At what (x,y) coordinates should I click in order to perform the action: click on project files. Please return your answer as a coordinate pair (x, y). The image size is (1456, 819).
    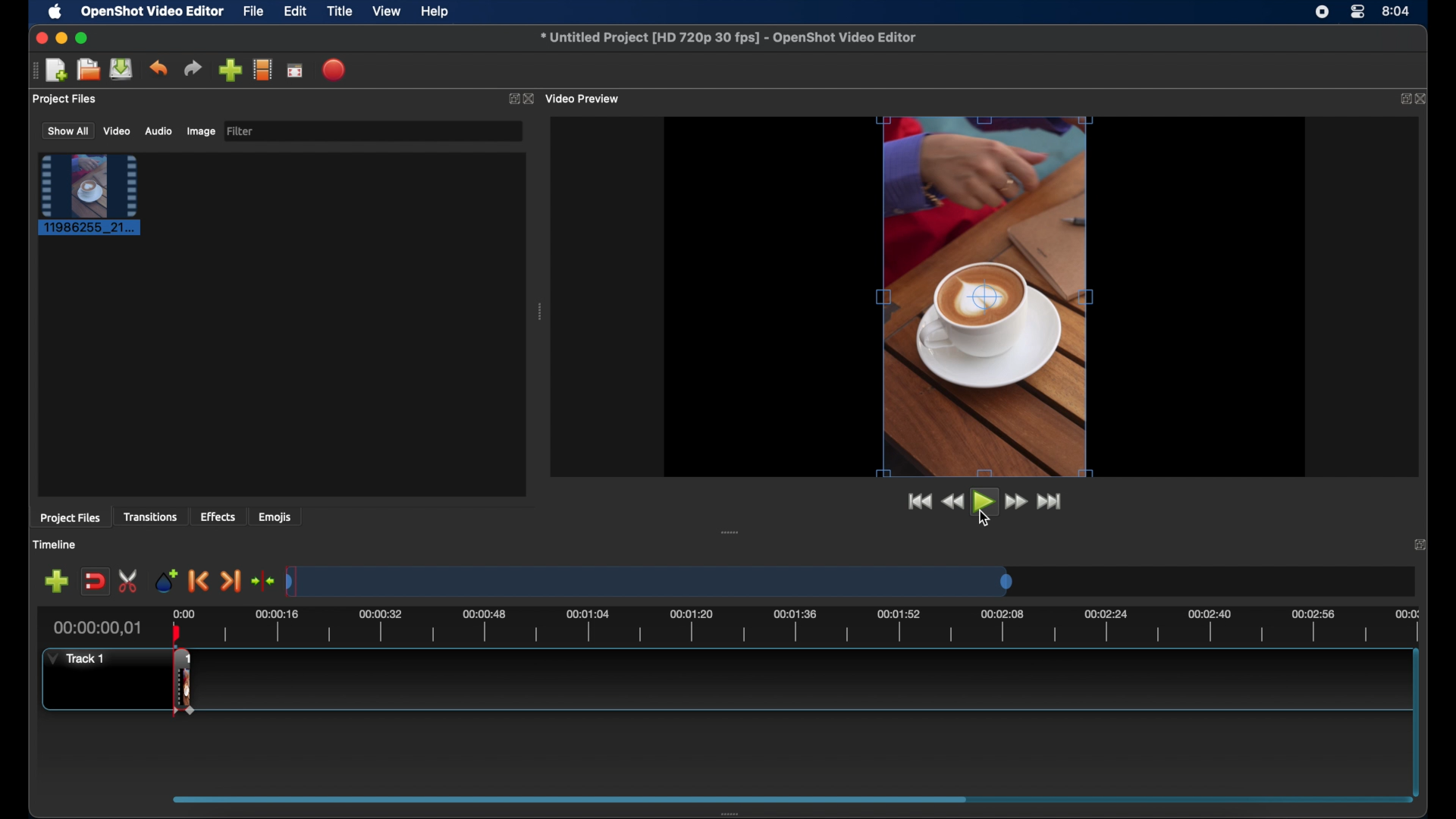
    Looking at the image, I should click on (66, 99).